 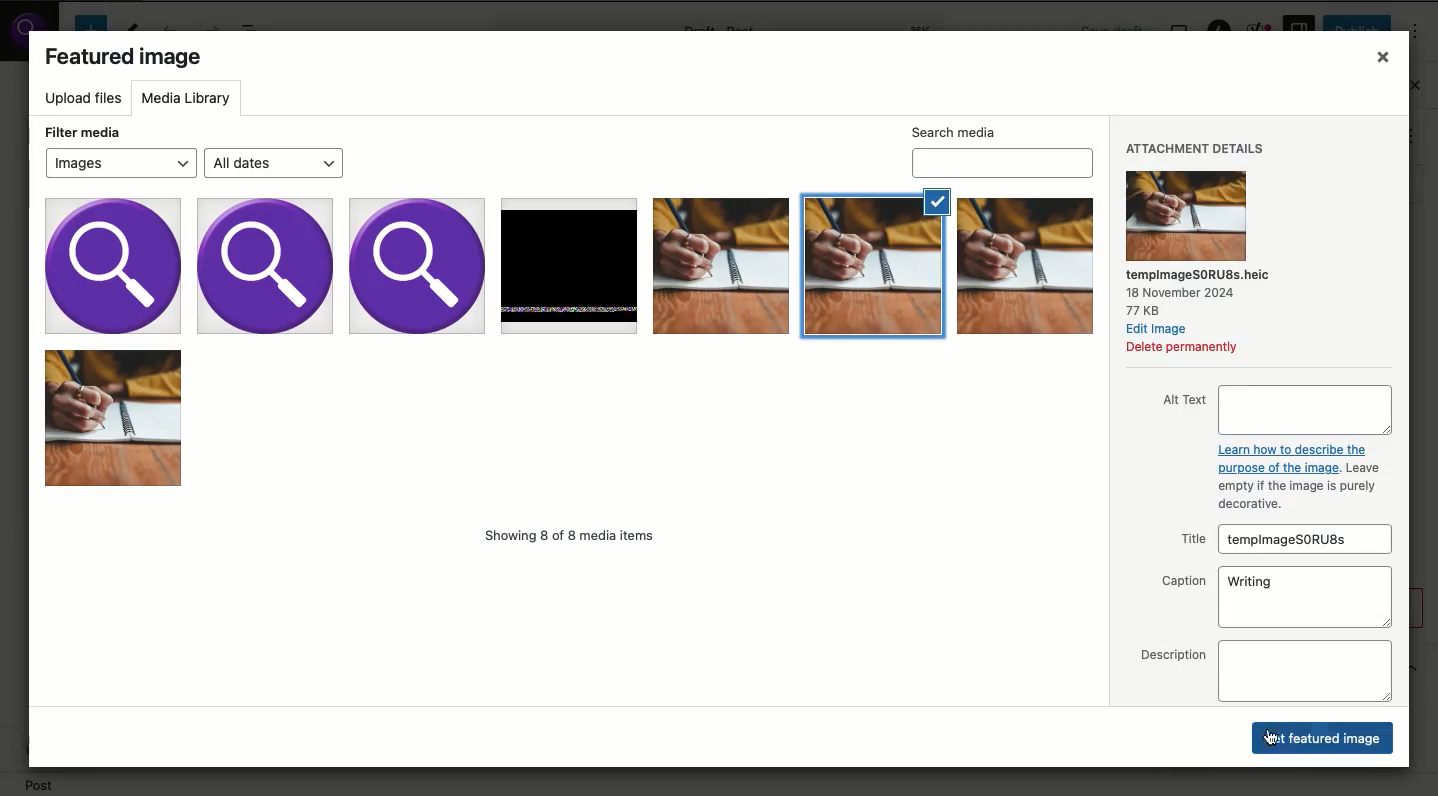 What do you see at coordinates (88, 100) in the screenshot?
I see `Upload files` at bounding box center [88, 100].